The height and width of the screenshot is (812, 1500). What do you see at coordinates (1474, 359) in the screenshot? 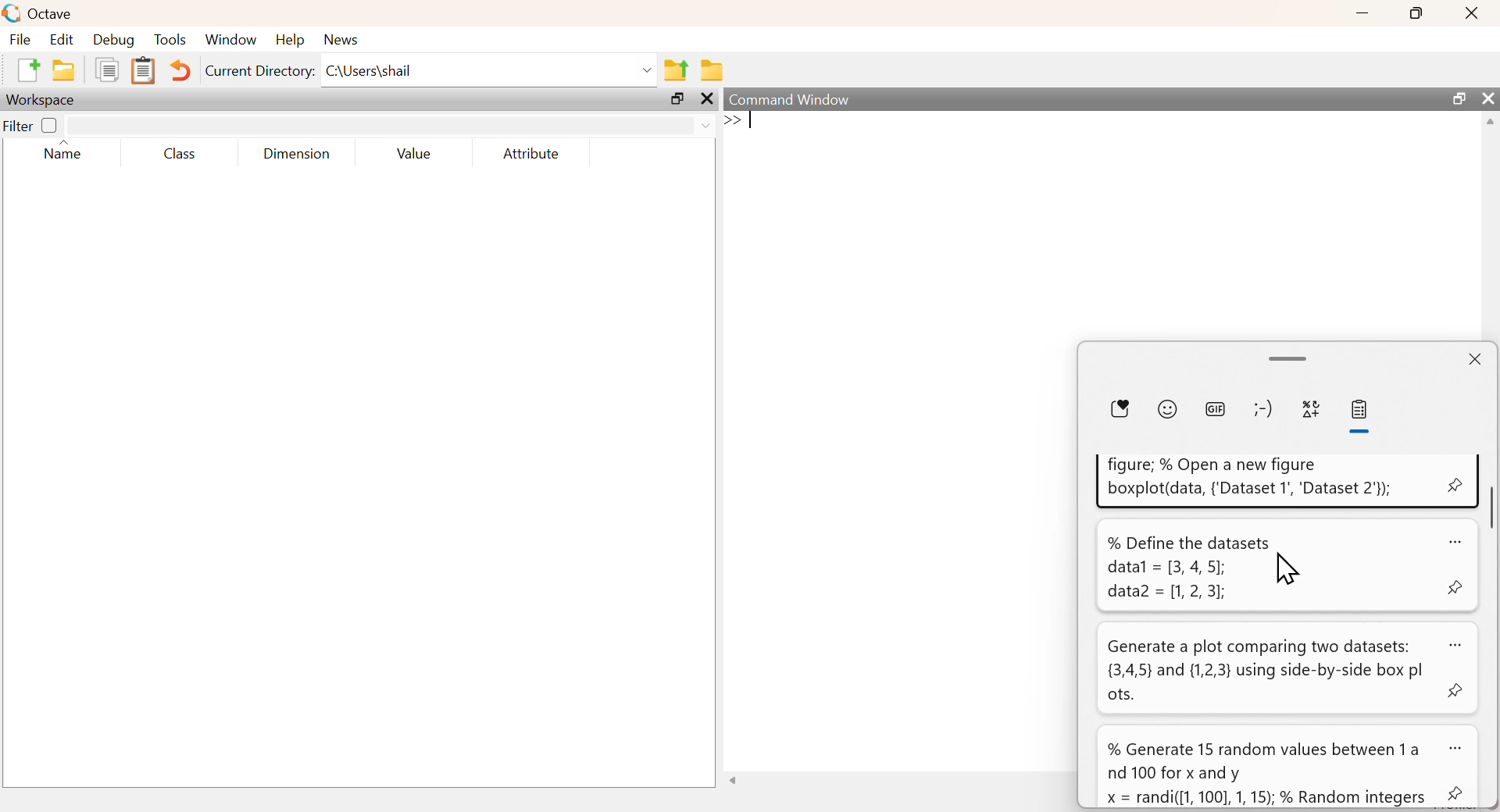
I see `close` at bounding box center [1474, 359].